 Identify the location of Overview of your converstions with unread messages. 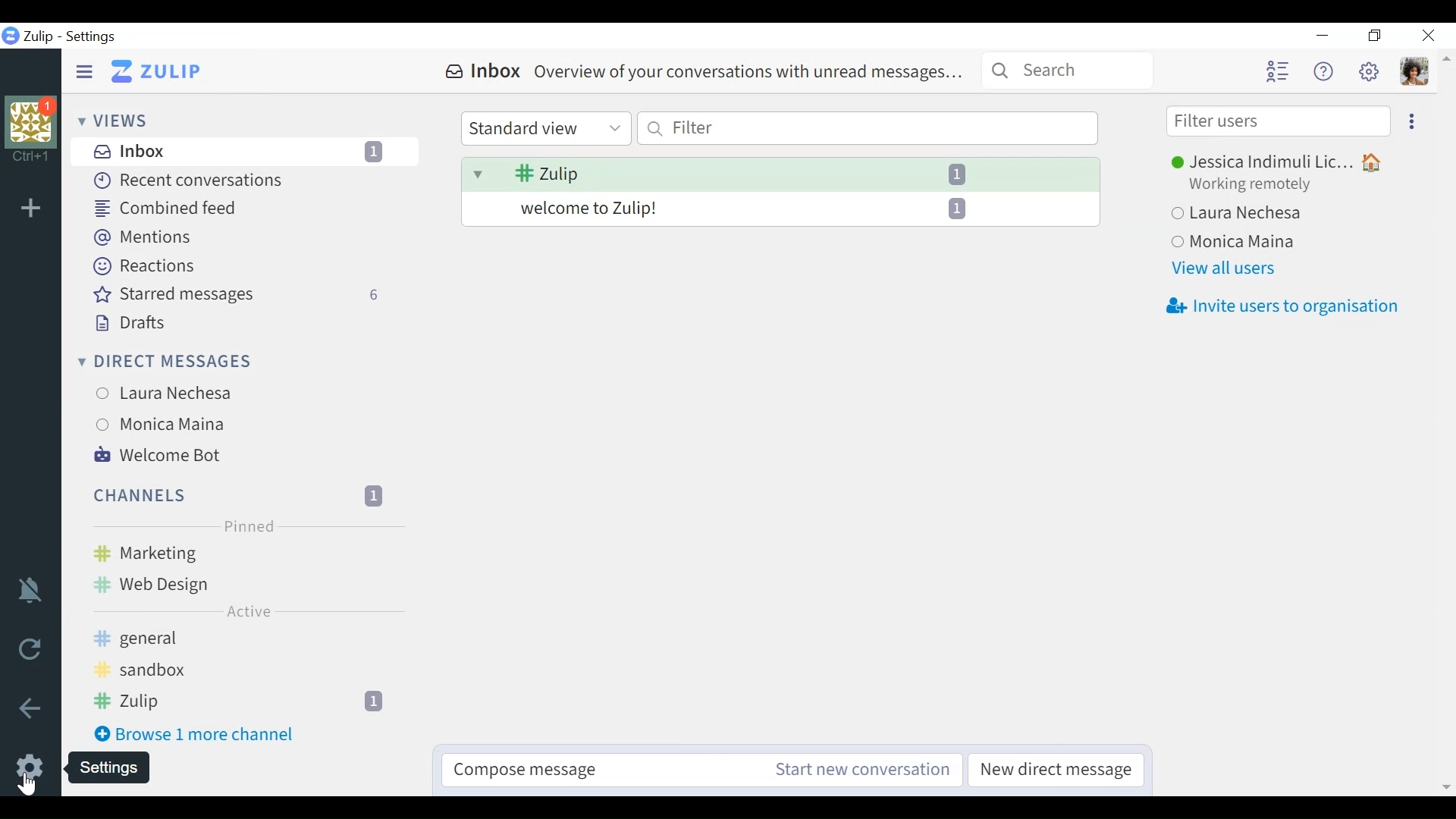
(780, 211).